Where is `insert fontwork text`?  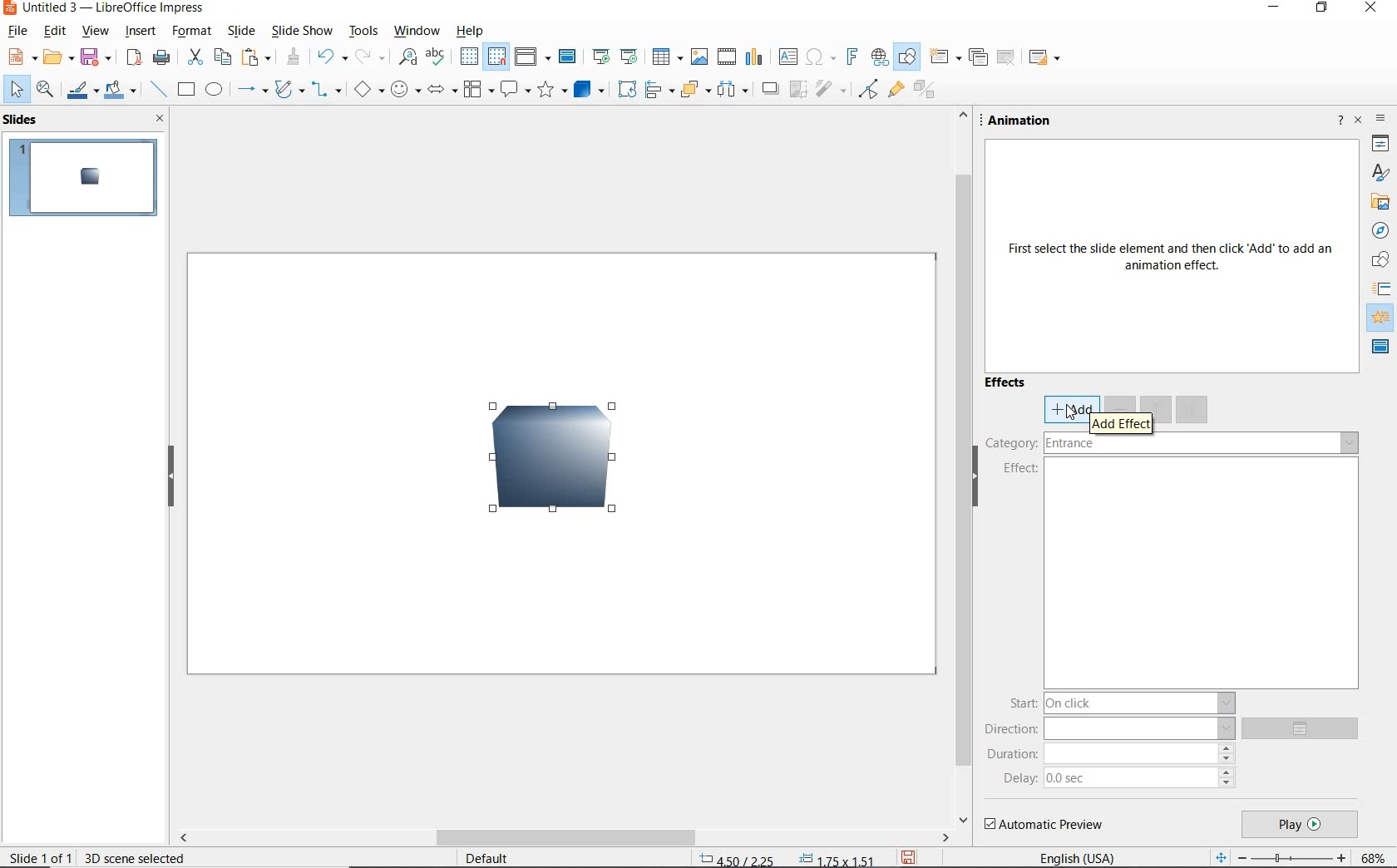
insert fontwork text is located at coordinates (851, 57).